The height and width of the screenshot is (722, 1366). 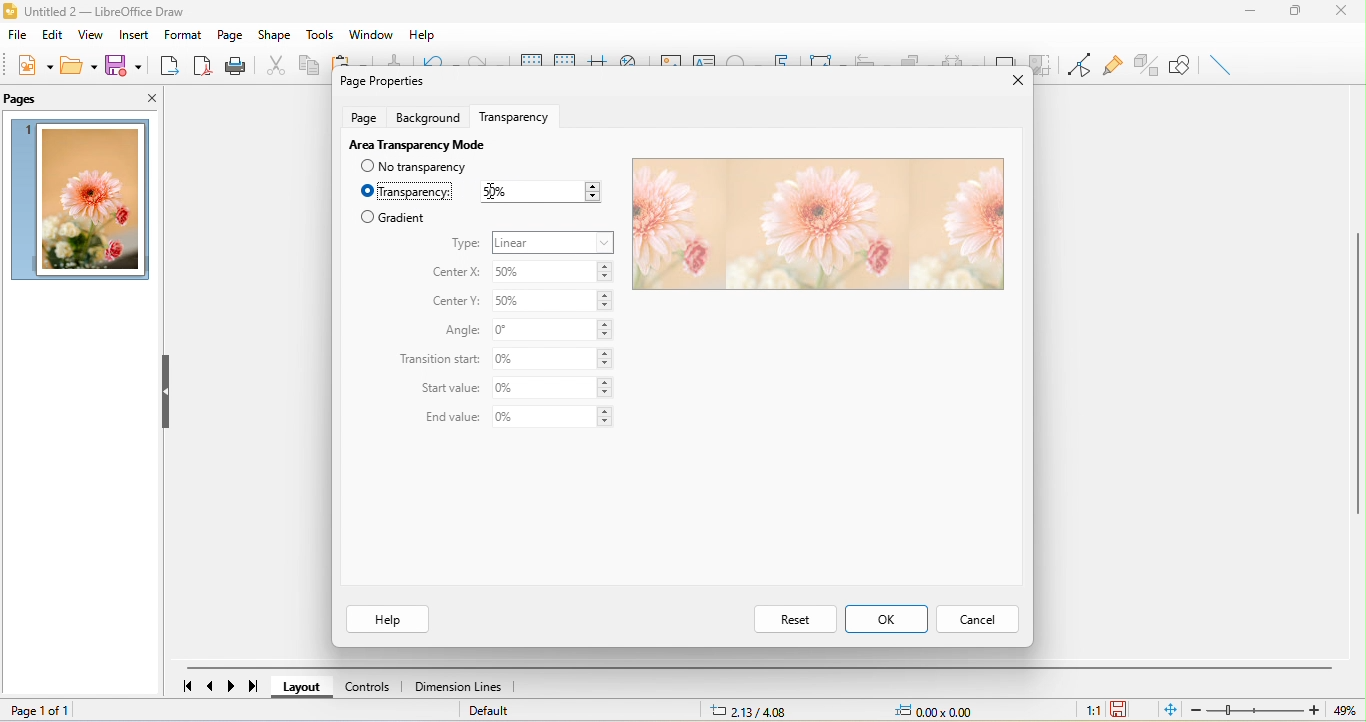 What do you see at coordinates (943, 711) in the screenshot?
I see `0.00x0.00` at bounding box center [943, 711].